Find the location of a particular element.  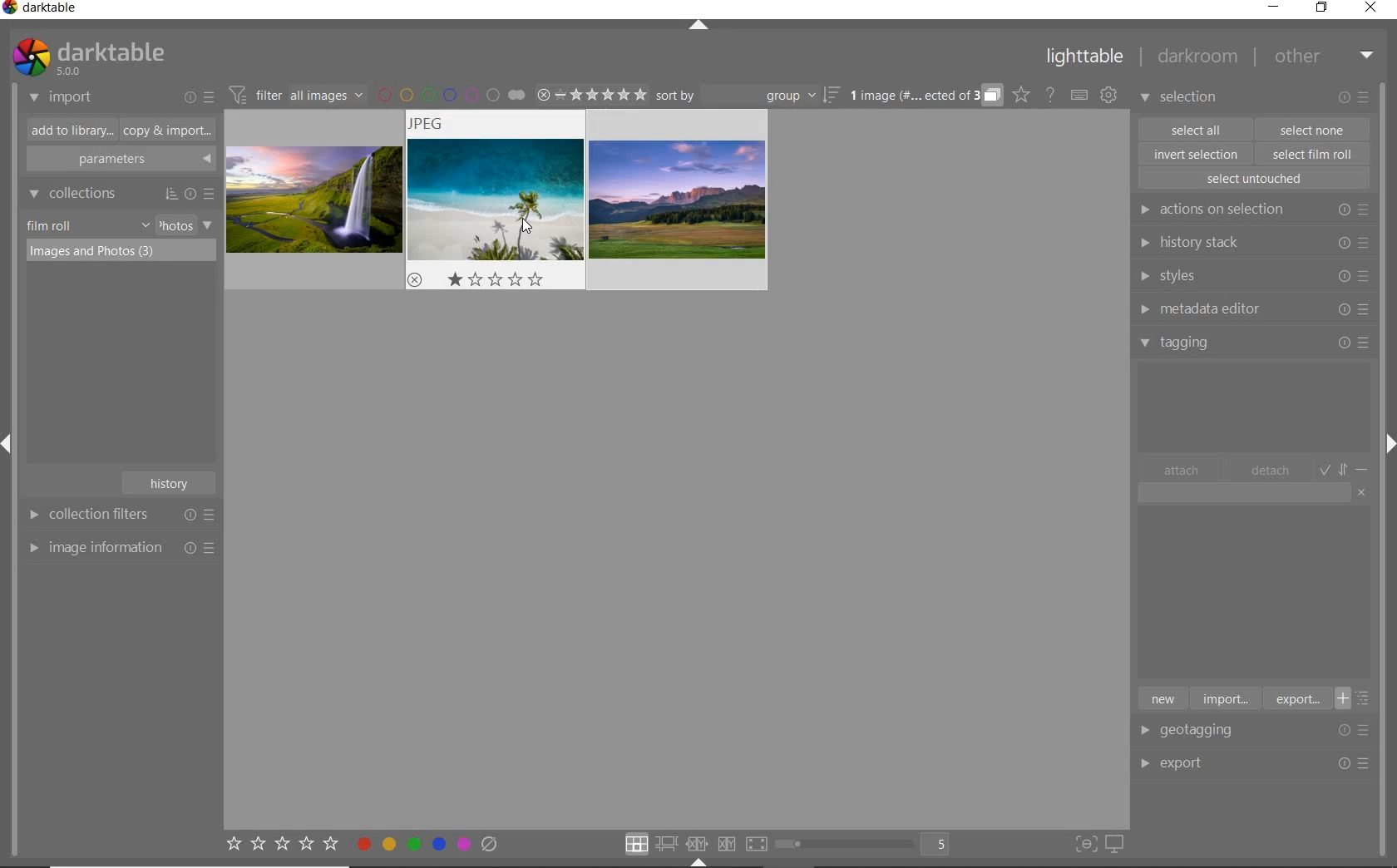

selection is located at coordinates (1181, 99).